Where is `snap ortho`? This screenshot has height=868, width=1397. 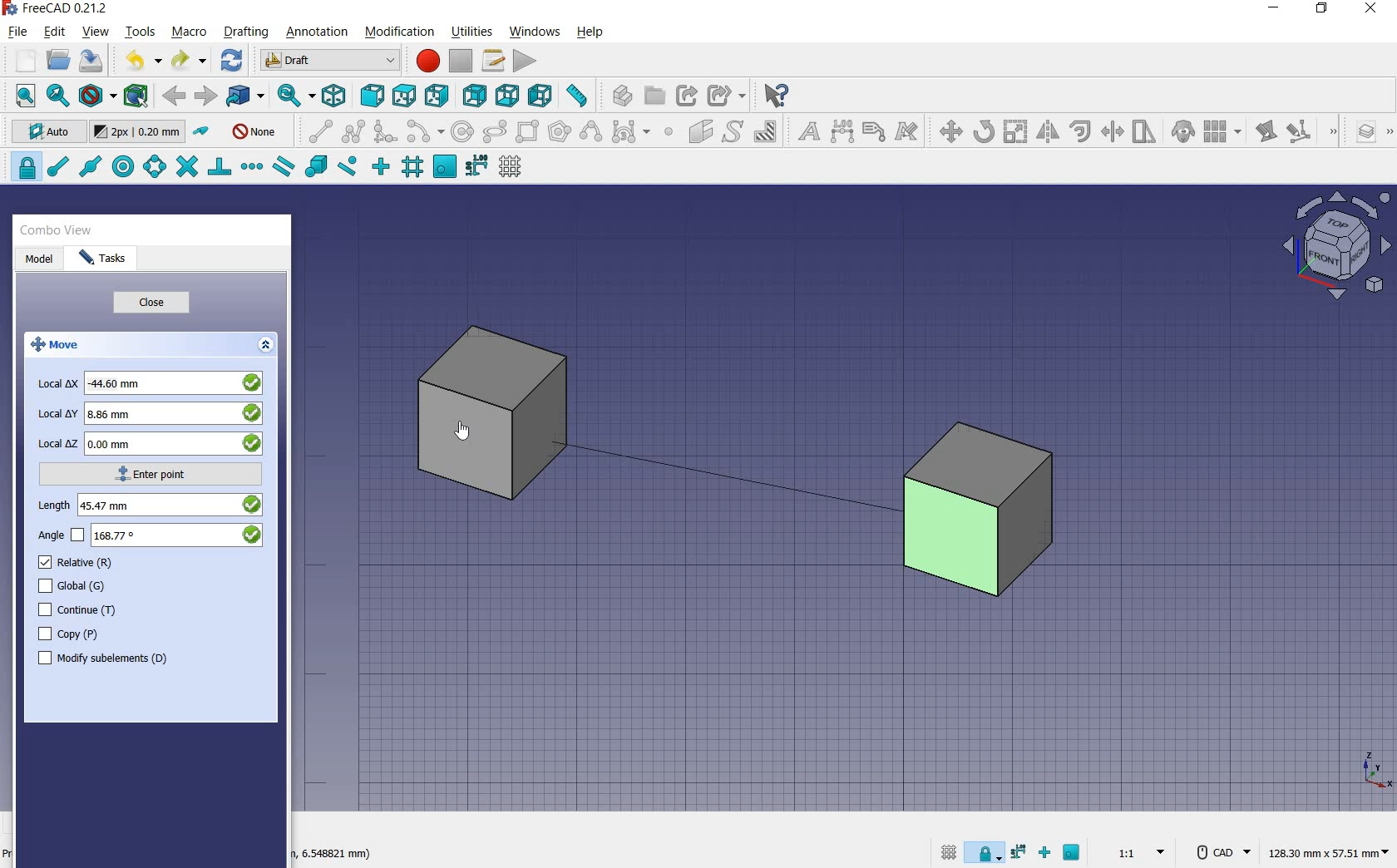 snap ortho is located at coordinates (1045, 854).